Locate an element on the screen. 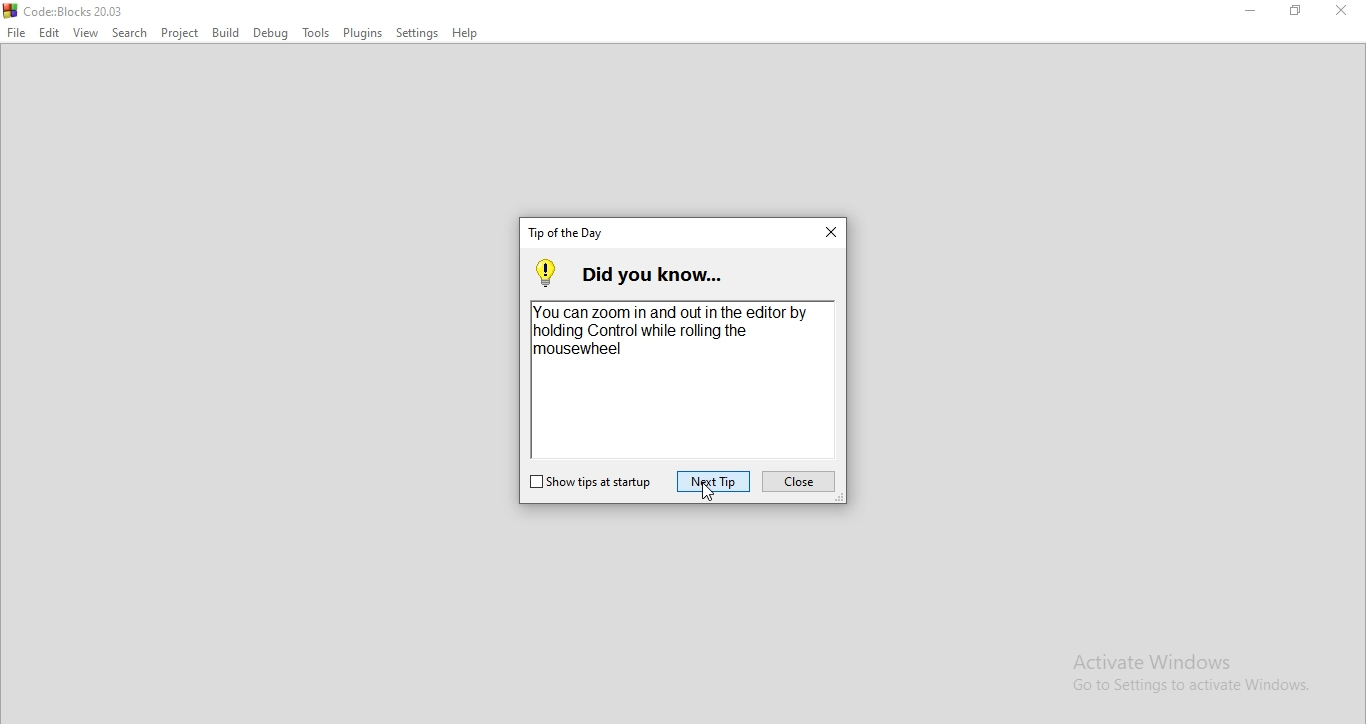 The width and height of the screenshot is (1366, 724). You can zoom in and out in the editor by holding Control while roling the mousewheel is located at coordinates (675, 331).